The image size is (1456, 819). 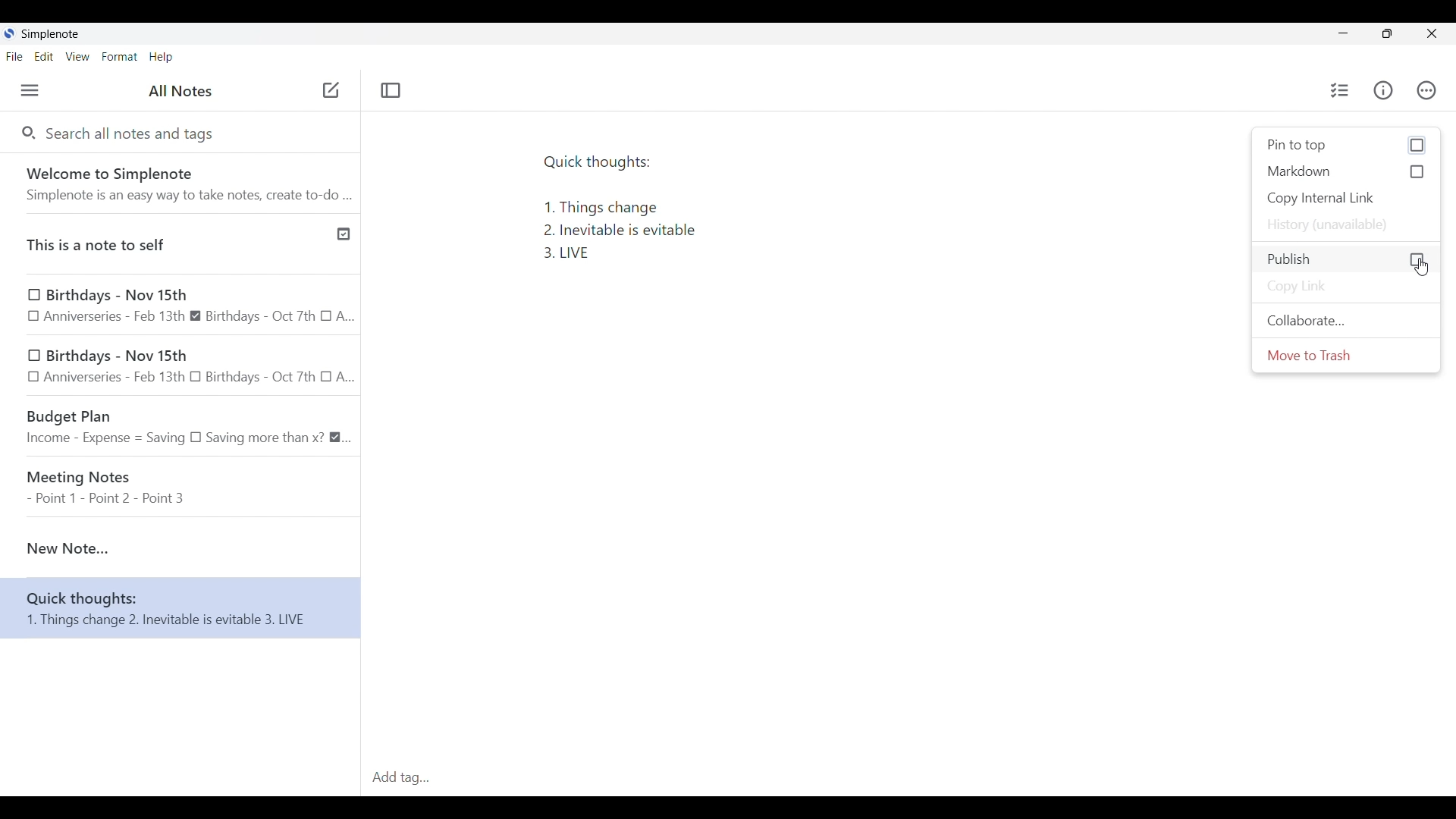 What do you see at coordinates (686, 216) in the screenshot?
I see `Text pasted` at bounding box center [686, 216].